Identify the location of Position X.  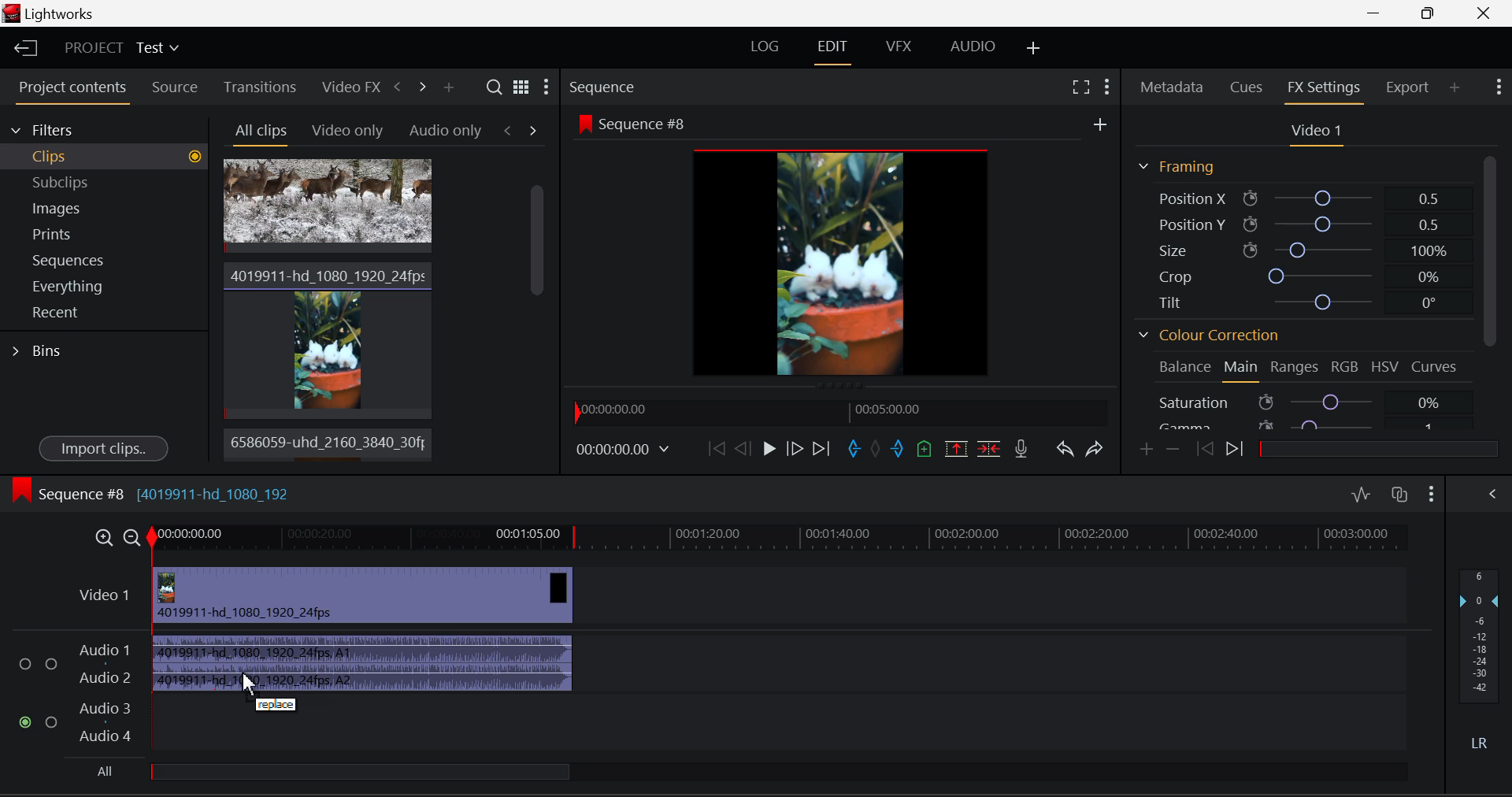
(1309, 196).